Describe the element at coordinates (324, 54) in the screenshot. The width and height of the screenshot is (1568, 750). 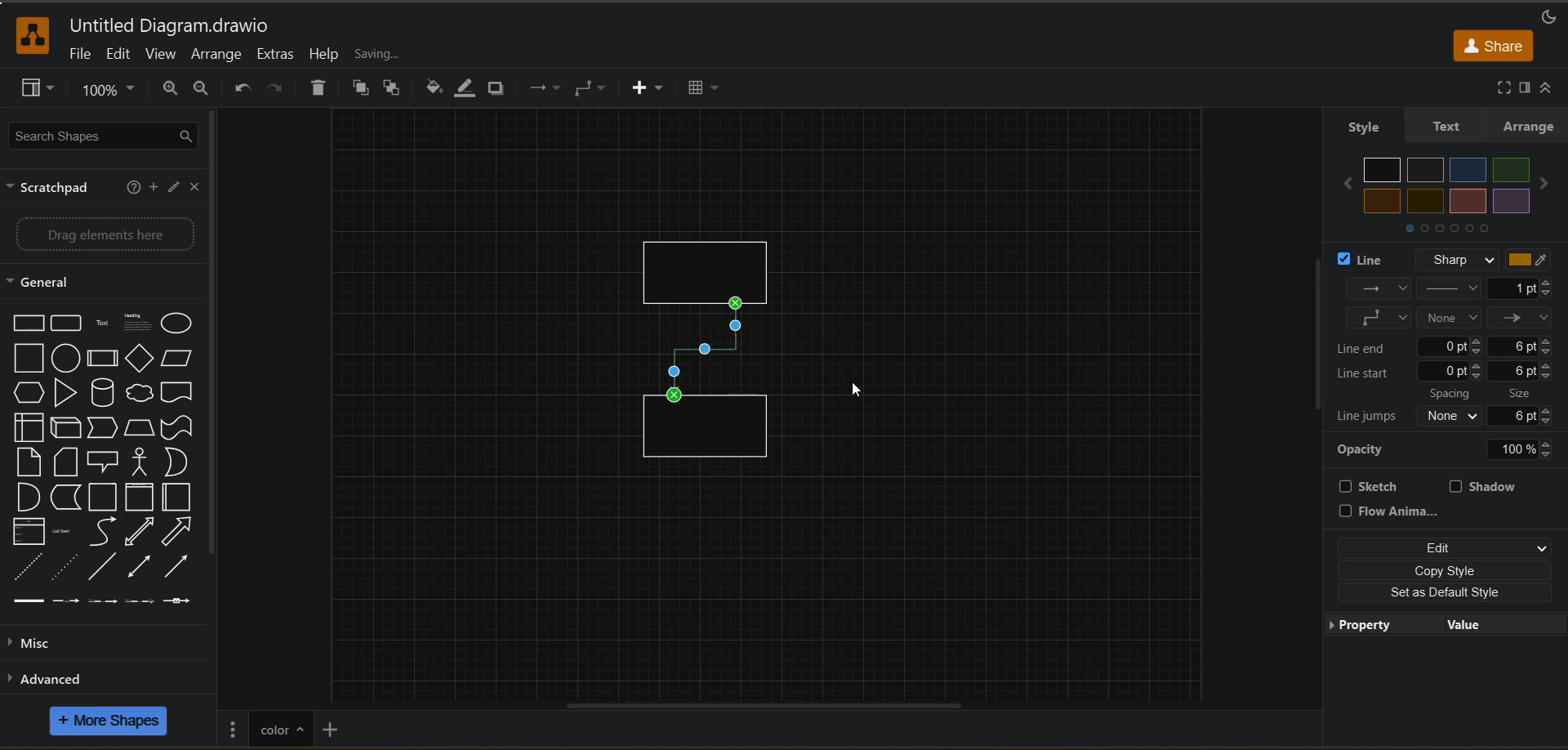
I see `help` at that location.